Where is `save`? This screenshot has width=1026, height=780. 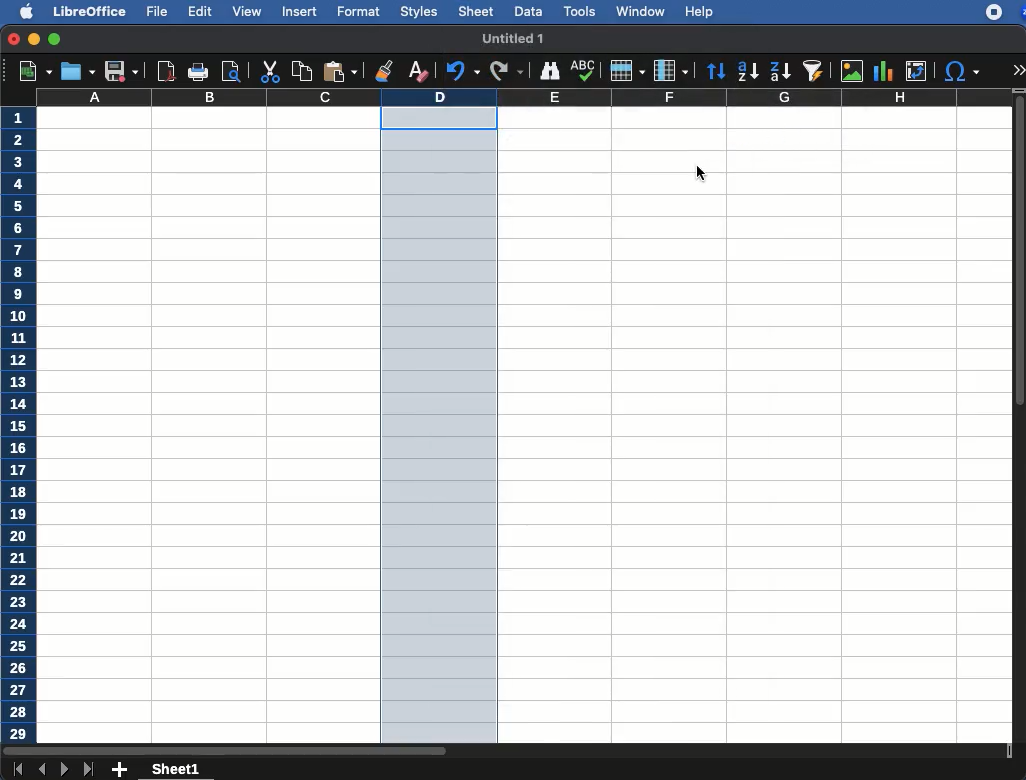 save is located at coordinates (120, 72).